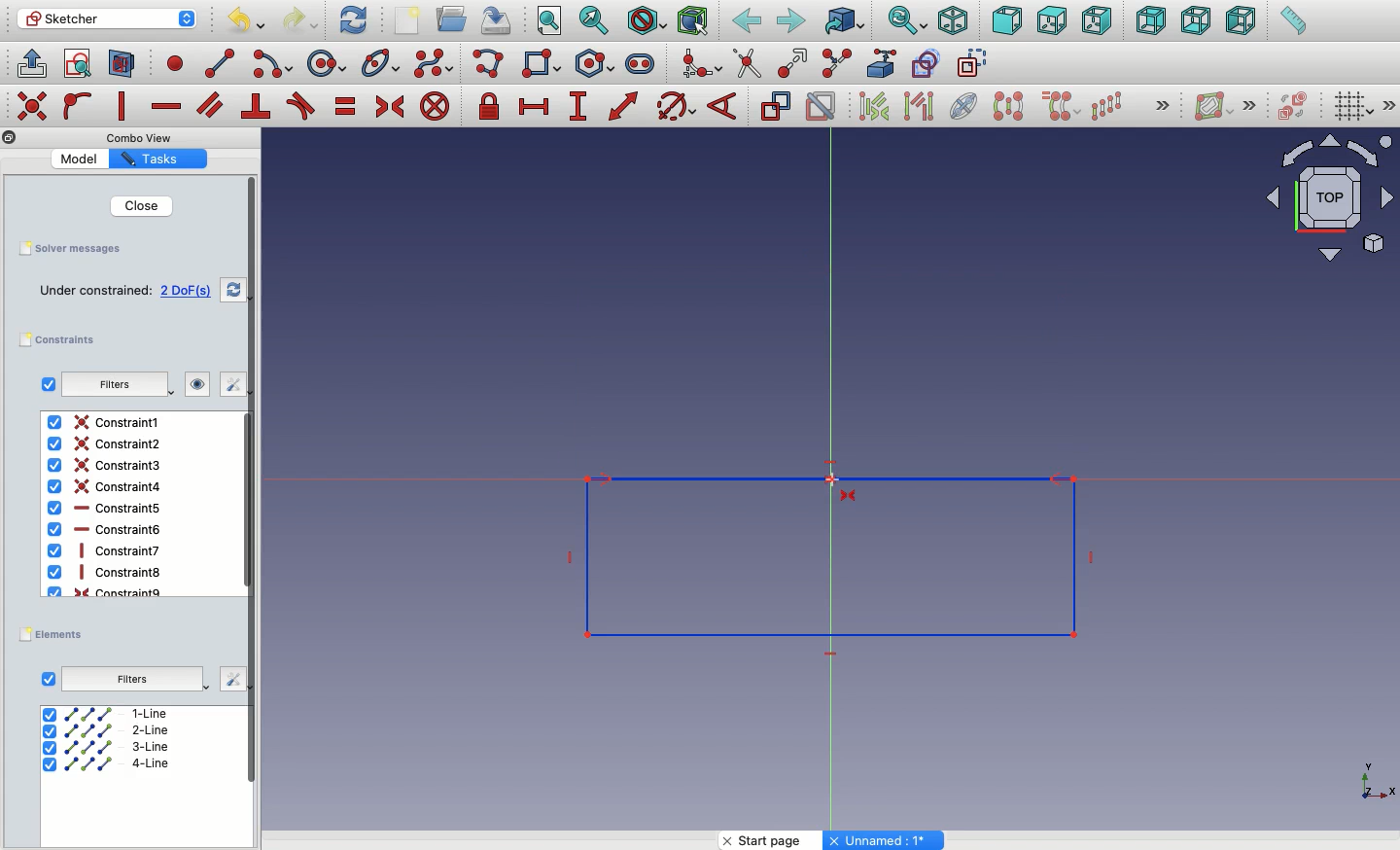 This screenshot has height=850, width=1400. Describe the element at coordinates (1059, 107) in the screenshot. I see `Clone` at that location.